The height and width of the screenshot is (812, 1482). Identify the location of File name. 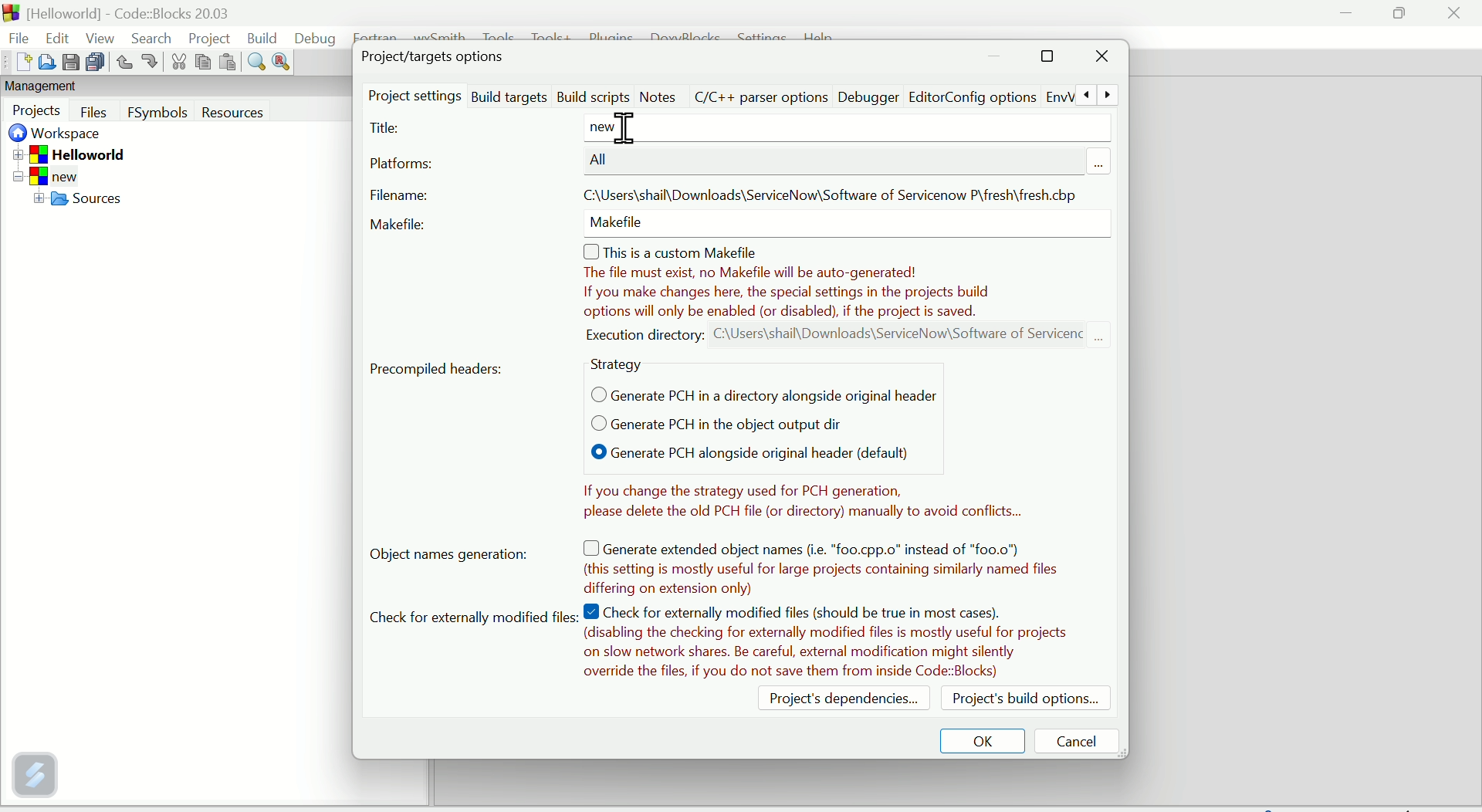
(396, 195).